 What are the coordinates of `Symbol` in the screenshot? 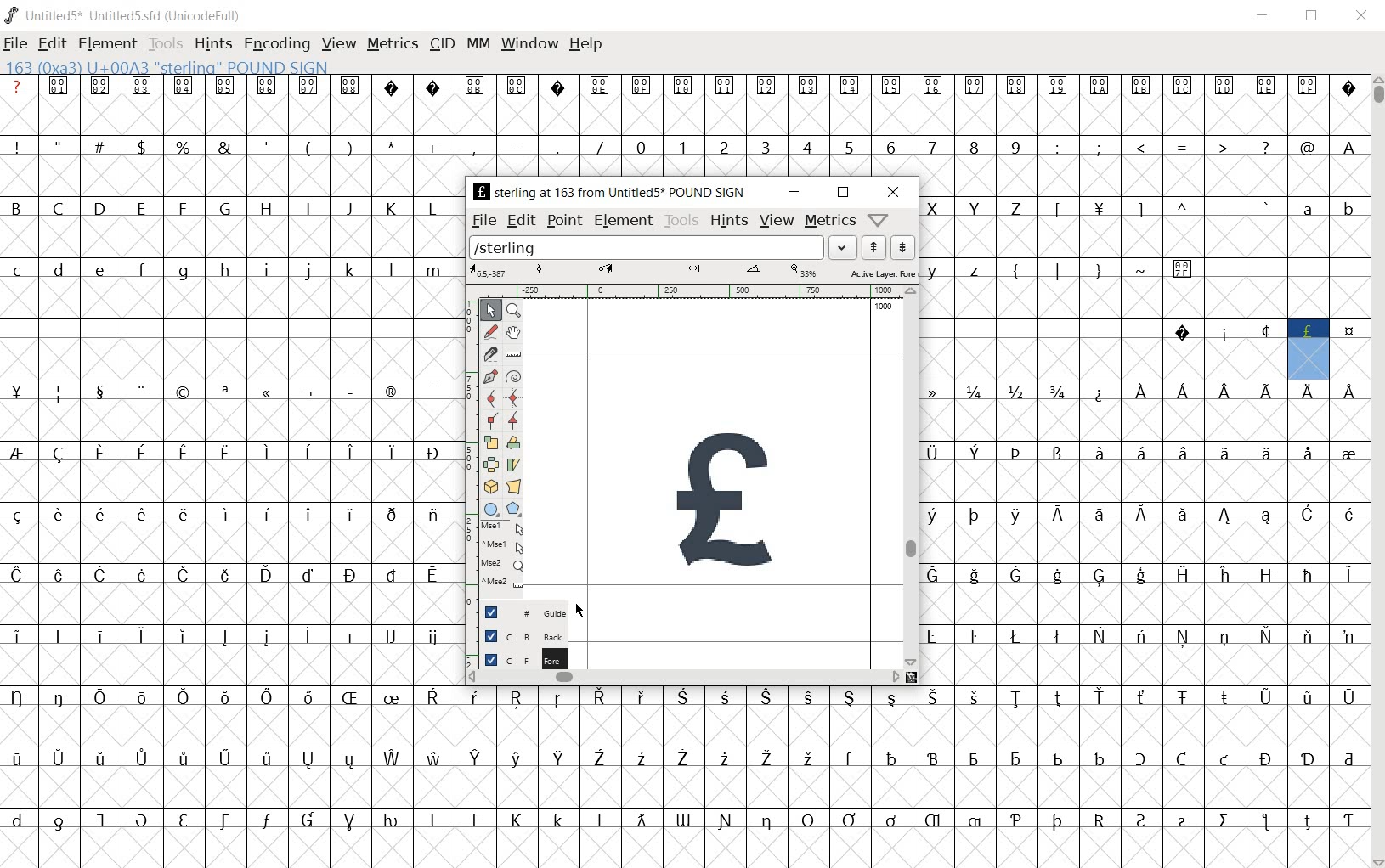 It's located at (228, 450).